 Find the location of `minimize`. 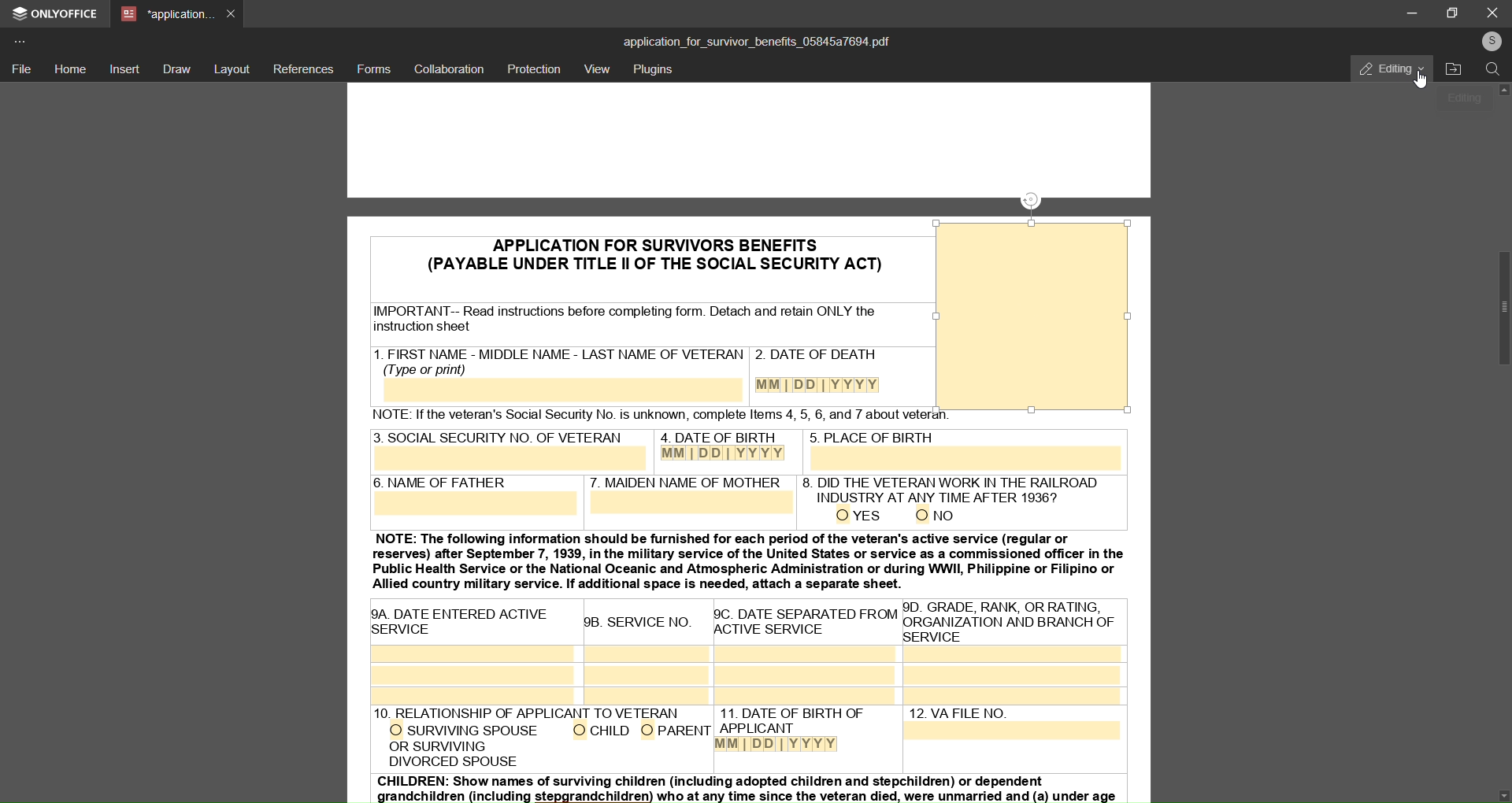

minimize is located at coordinates (1407, 13).